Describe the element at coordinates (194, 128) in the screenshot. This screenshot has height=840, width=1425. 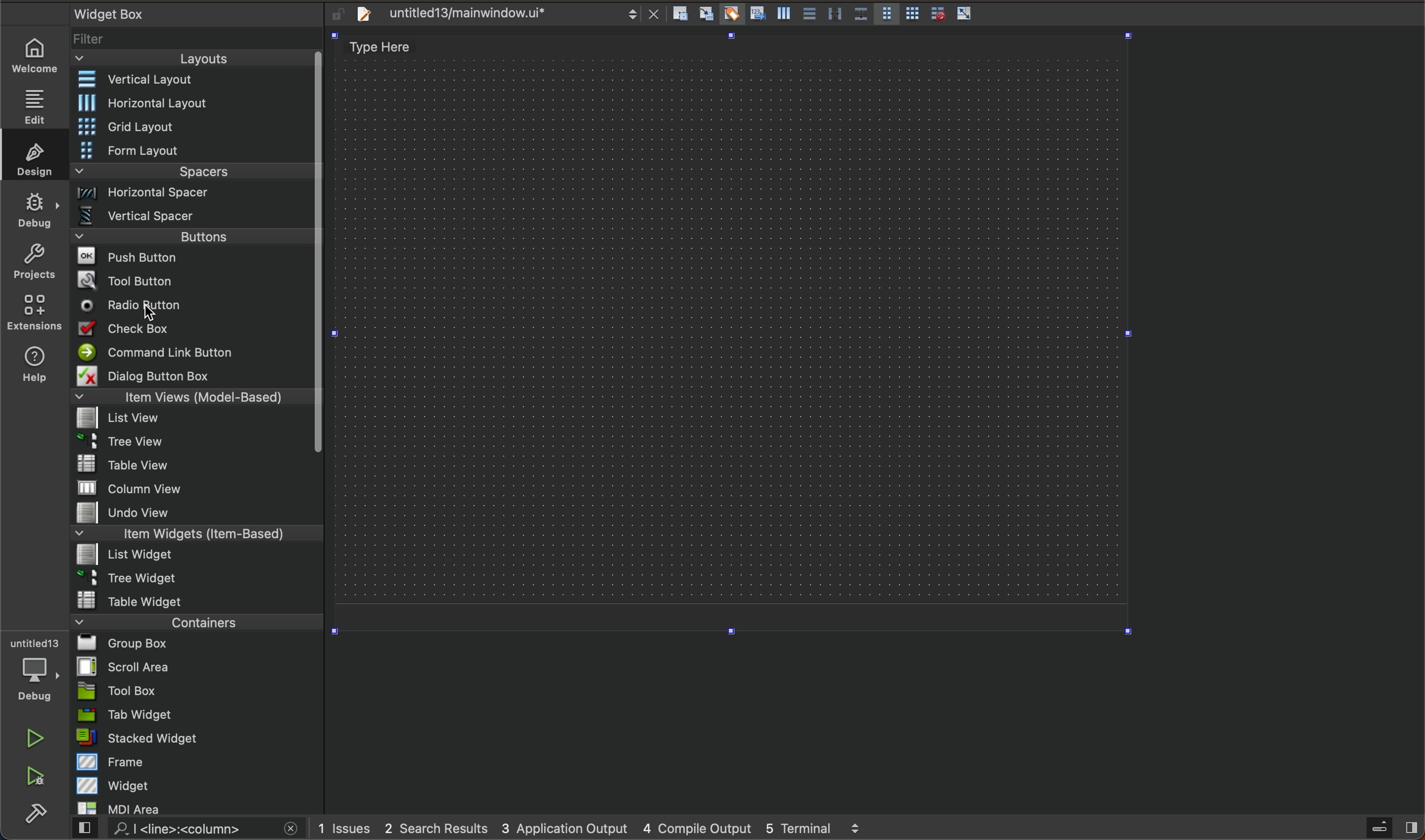
I see `` at that location.